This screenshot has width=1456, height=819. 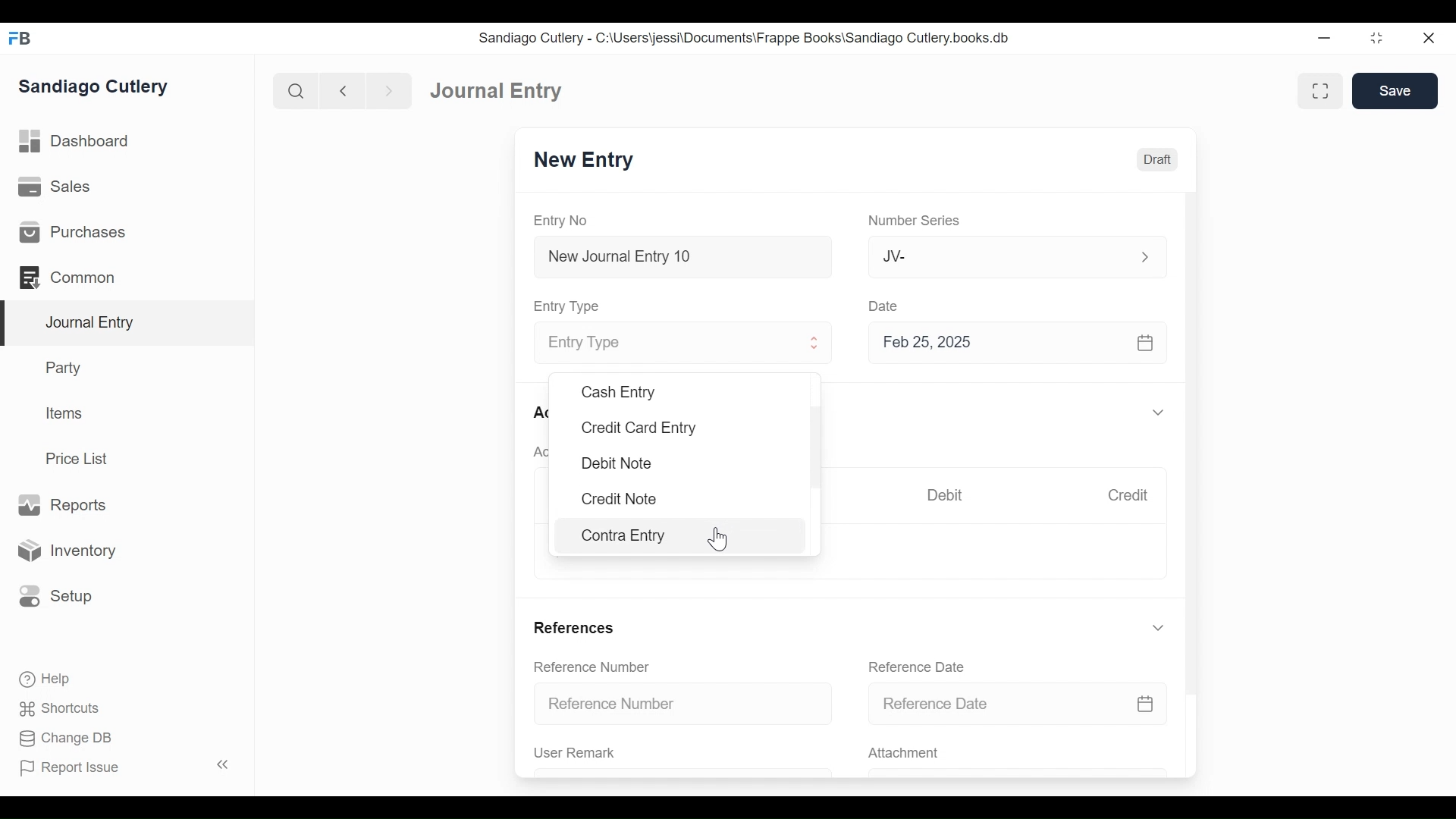 I want to click on Attachment, so click(x=906, y=754).